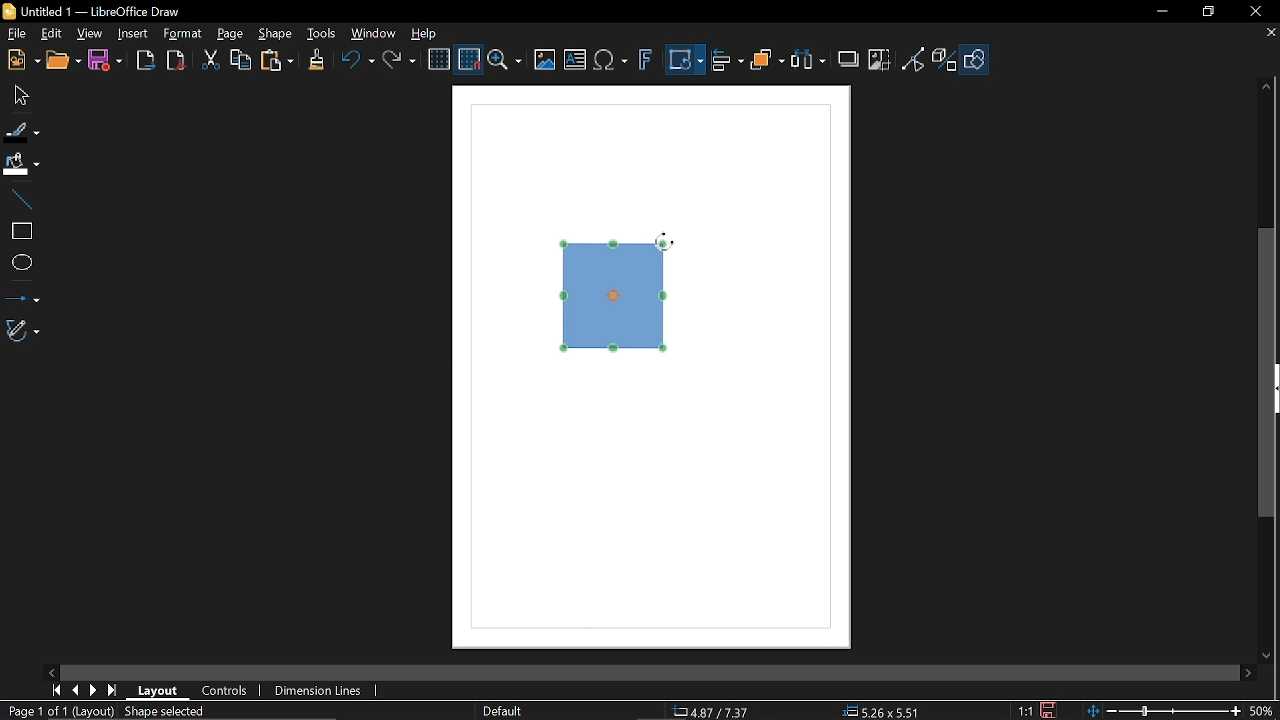 The height and width of the screenshot is (720, 1280). What do you see at coordinates (314, 690) in the screenshot?
I see `Dimension lines` at bounding box center [314, 690].